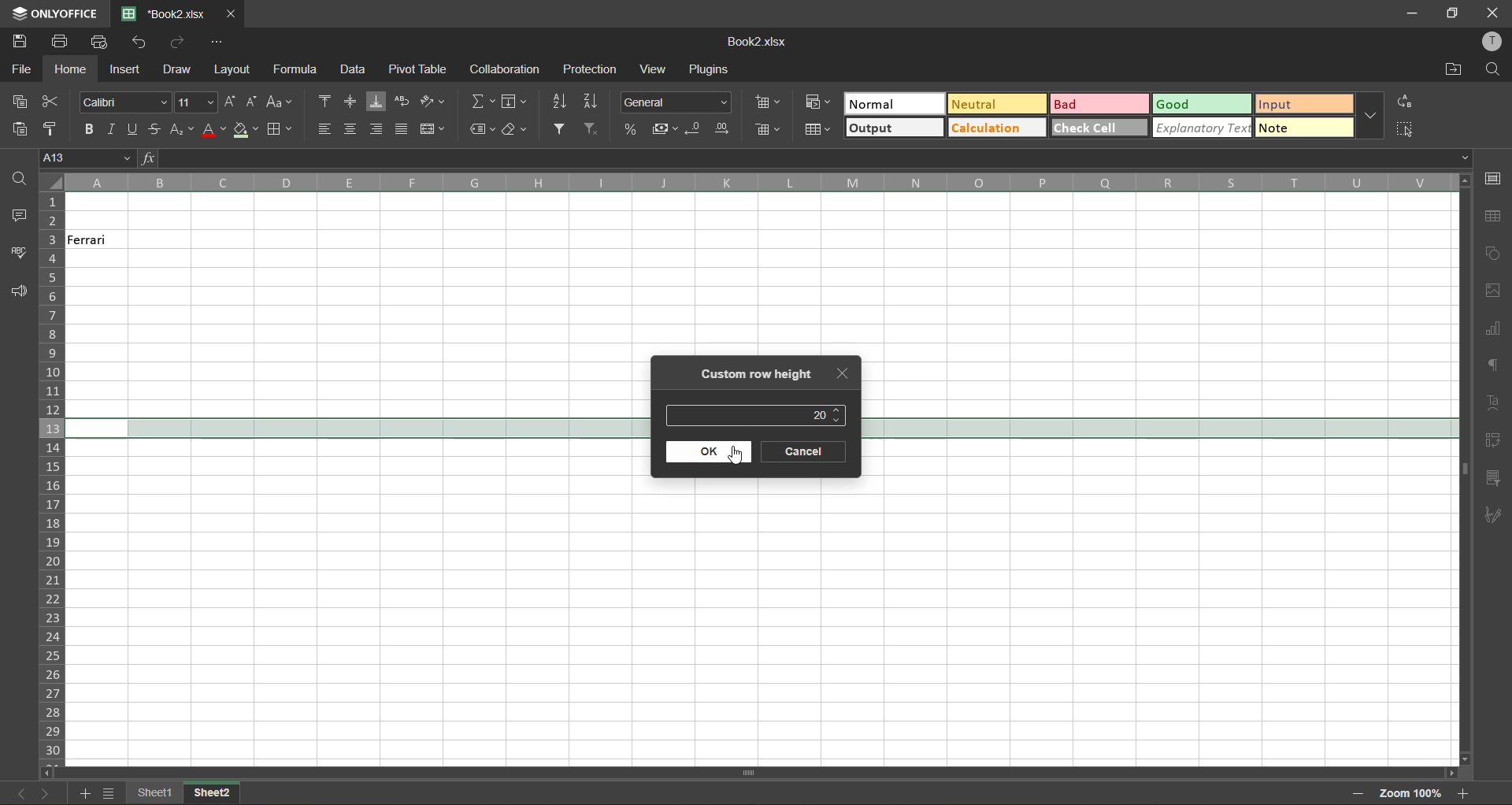 The image size is (1512, 805). I want to click on formula, so click(297, 69).